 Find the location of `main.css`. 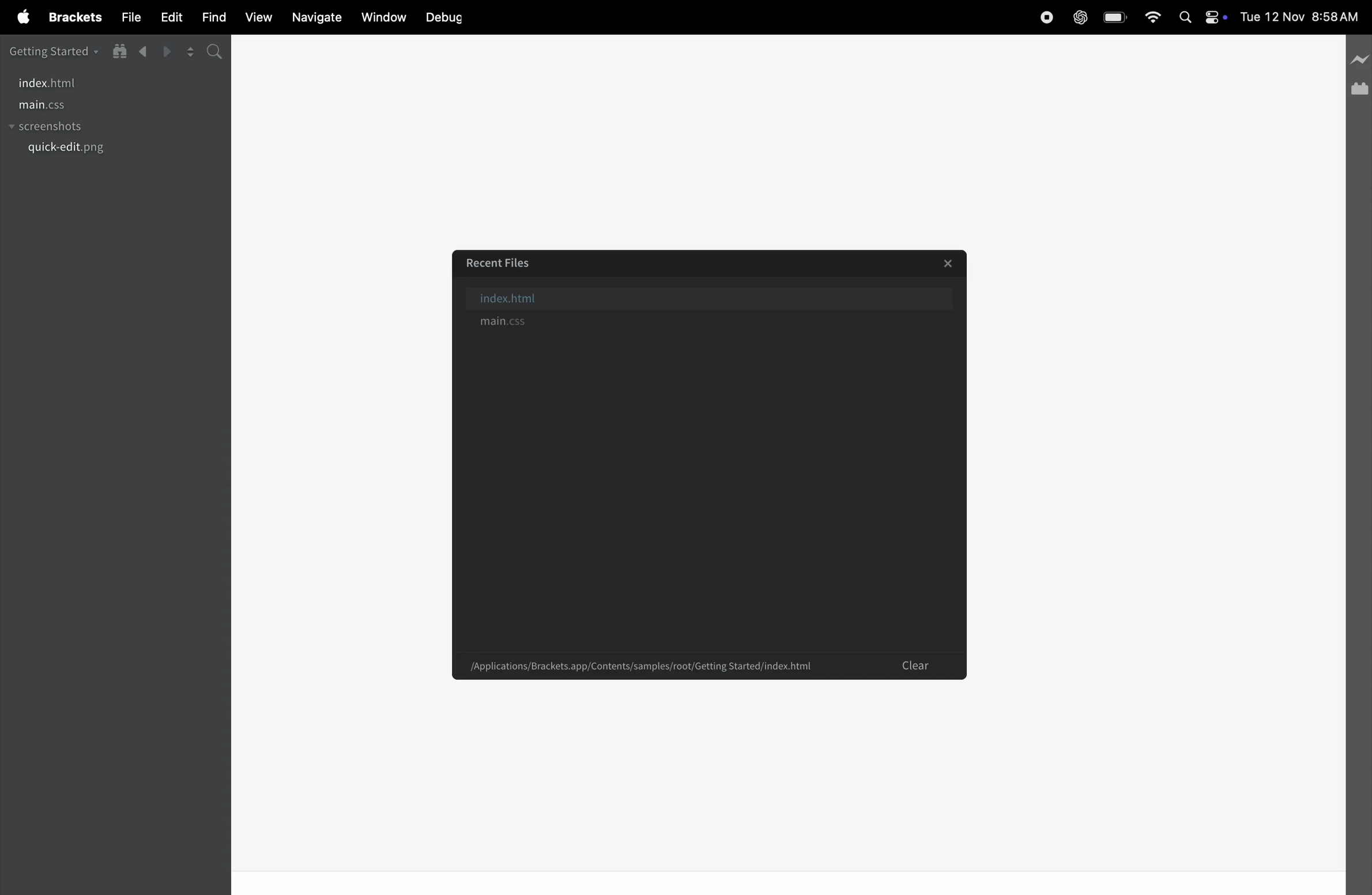

main.css is located at coordinates (708, 323).